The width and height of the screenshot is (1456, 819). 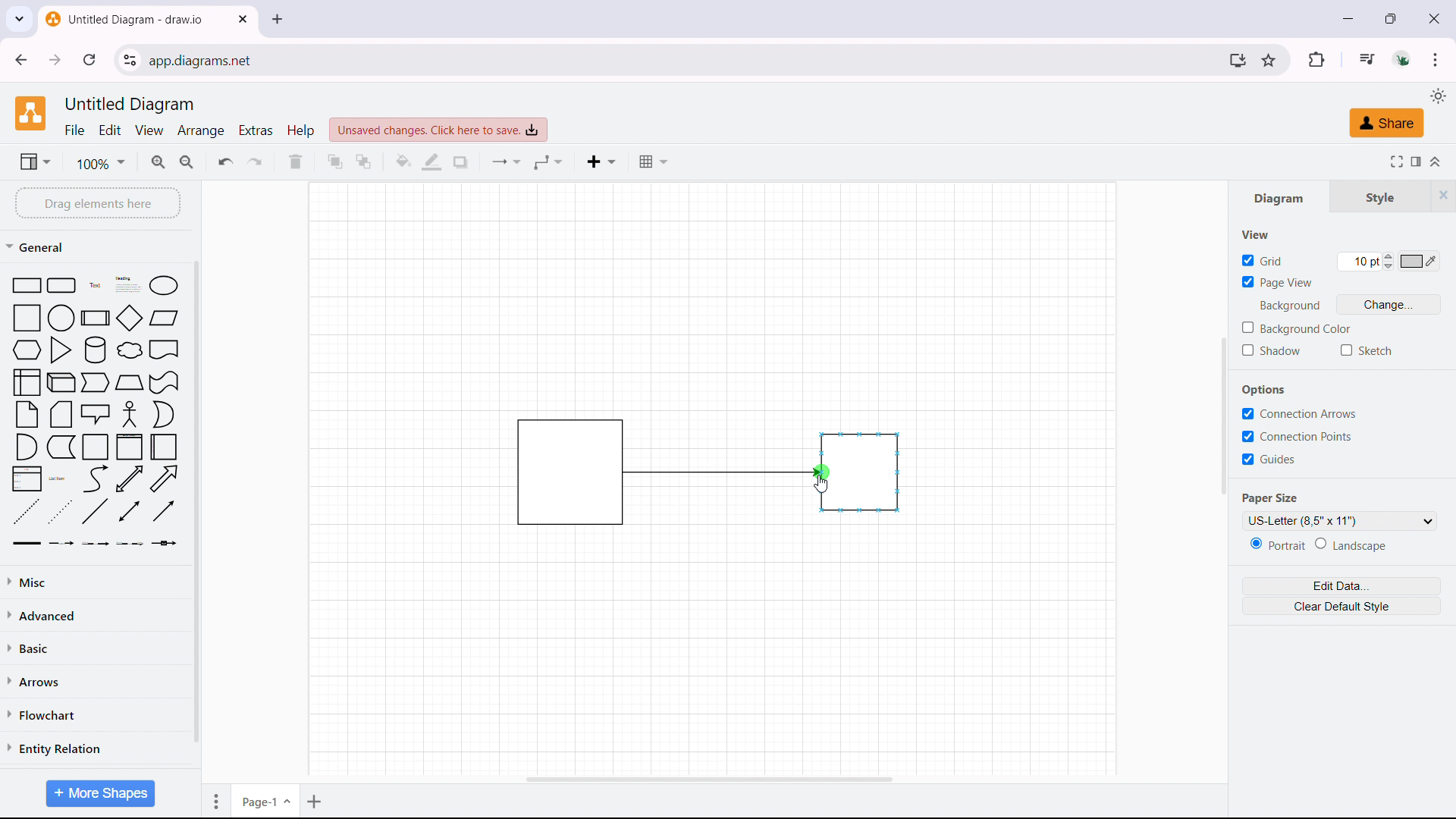 I want to click on close tab, so click(x=243, y=19).